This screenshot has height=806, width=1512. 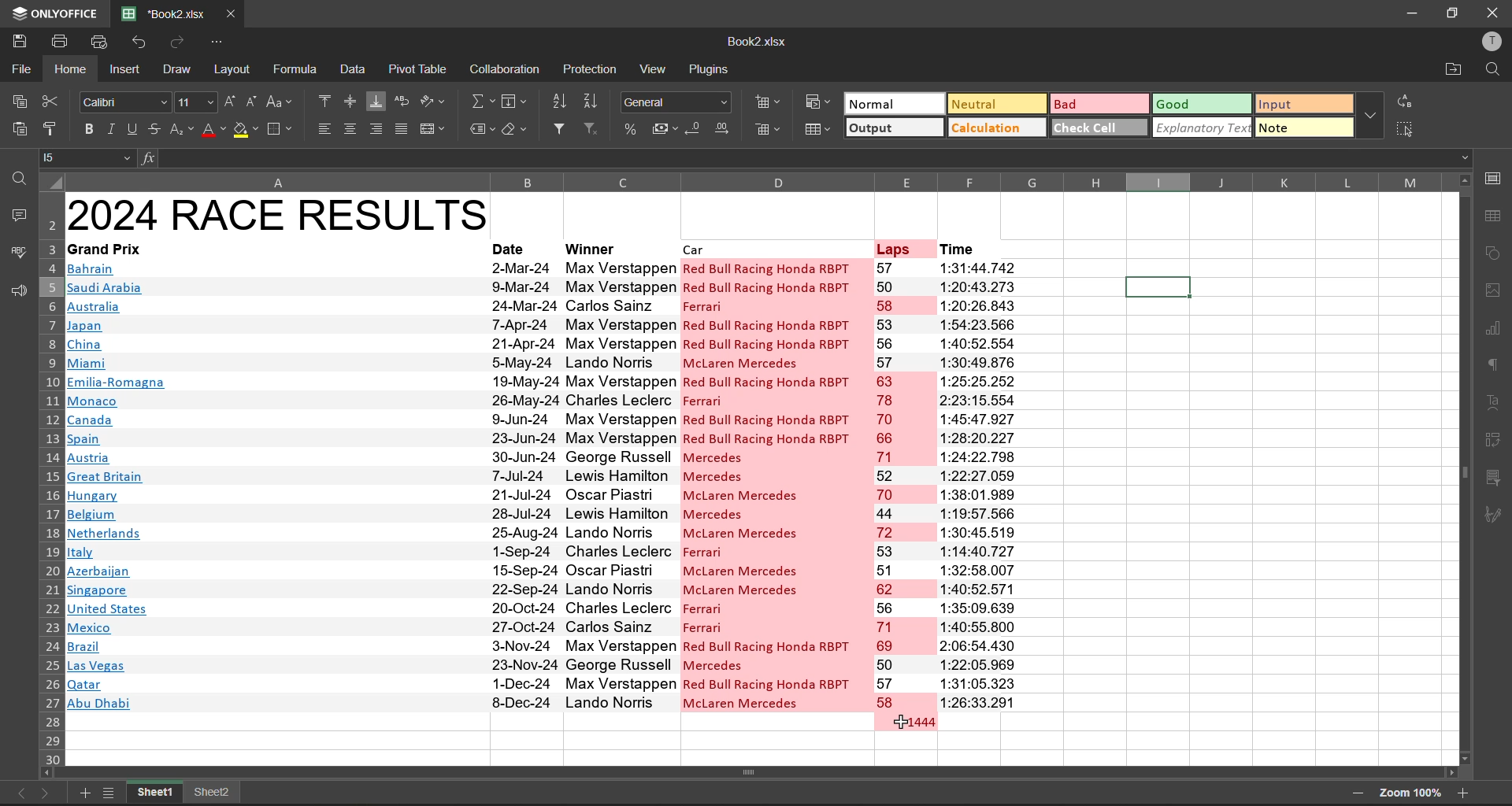 I want to click on font size, so click(x=198, y=102).